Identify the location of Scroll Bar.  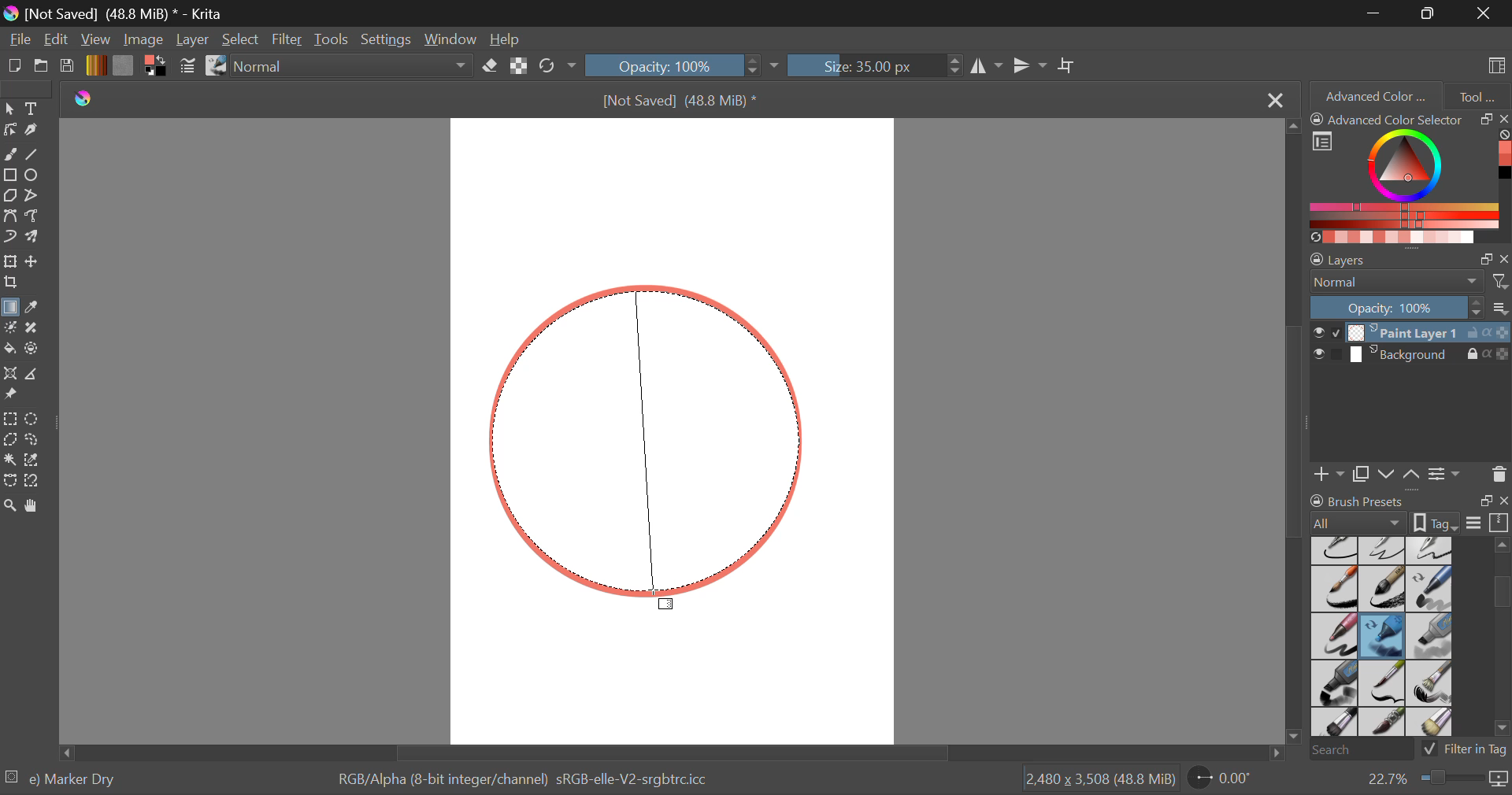
(1296, 434).